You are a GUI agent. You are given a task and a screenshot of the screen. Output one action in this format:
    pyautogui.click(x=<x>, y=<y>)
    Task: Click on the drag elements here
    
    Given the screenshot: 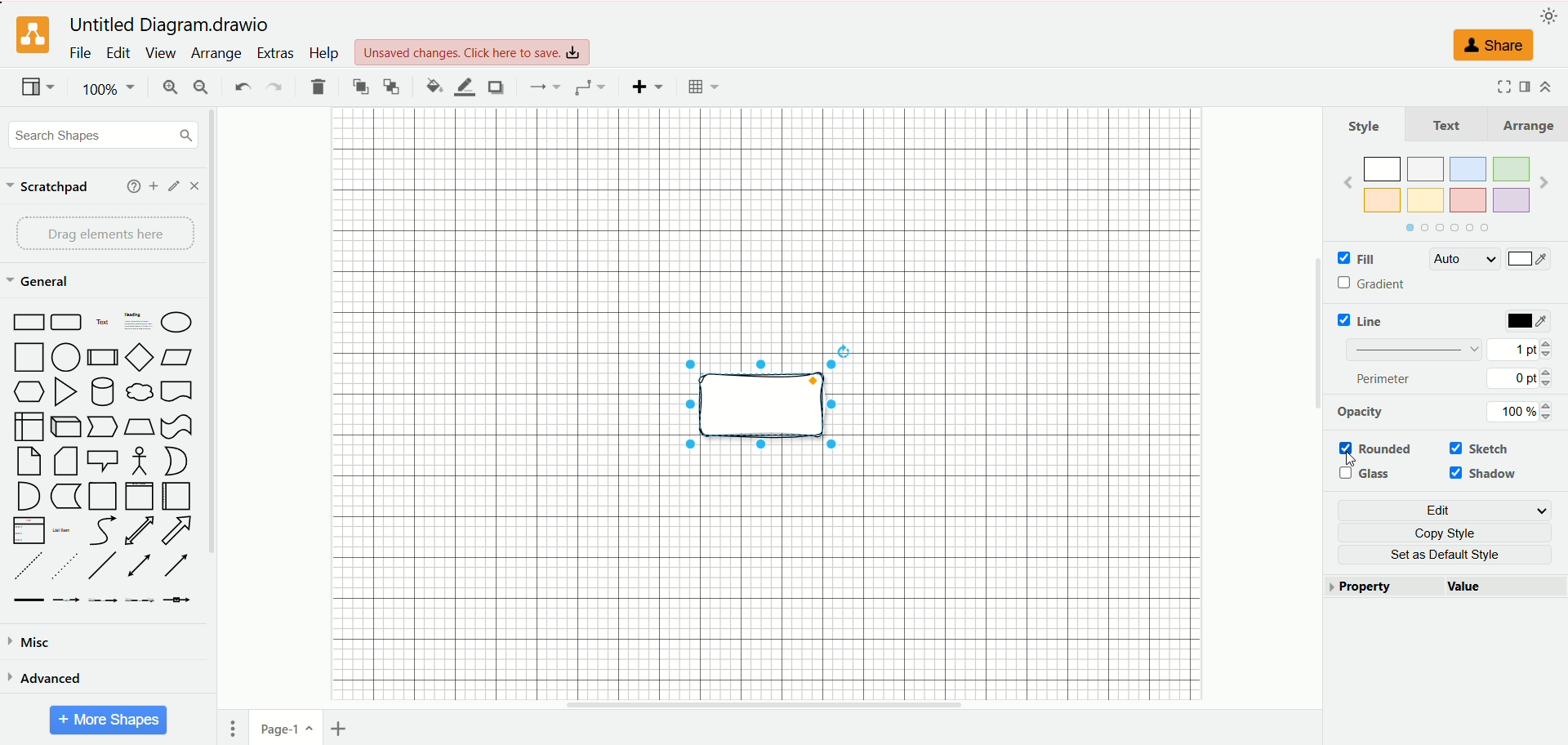 What is the action you would take?
    pyautogui.click(x=107, y=234)
    